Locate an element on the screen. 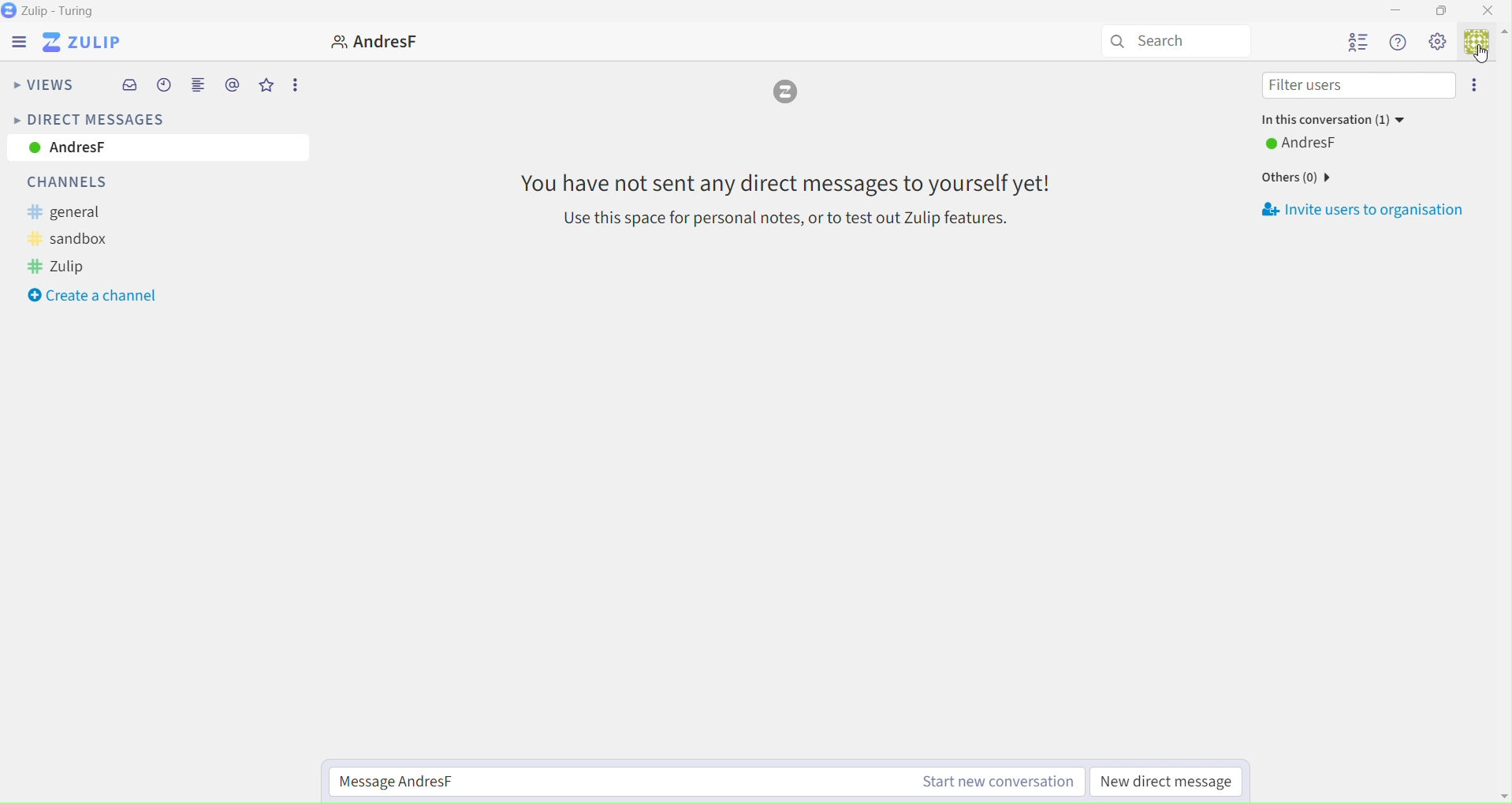 This screenshot has width=1512, height=803. Channels is located at coordinates (79, 182).